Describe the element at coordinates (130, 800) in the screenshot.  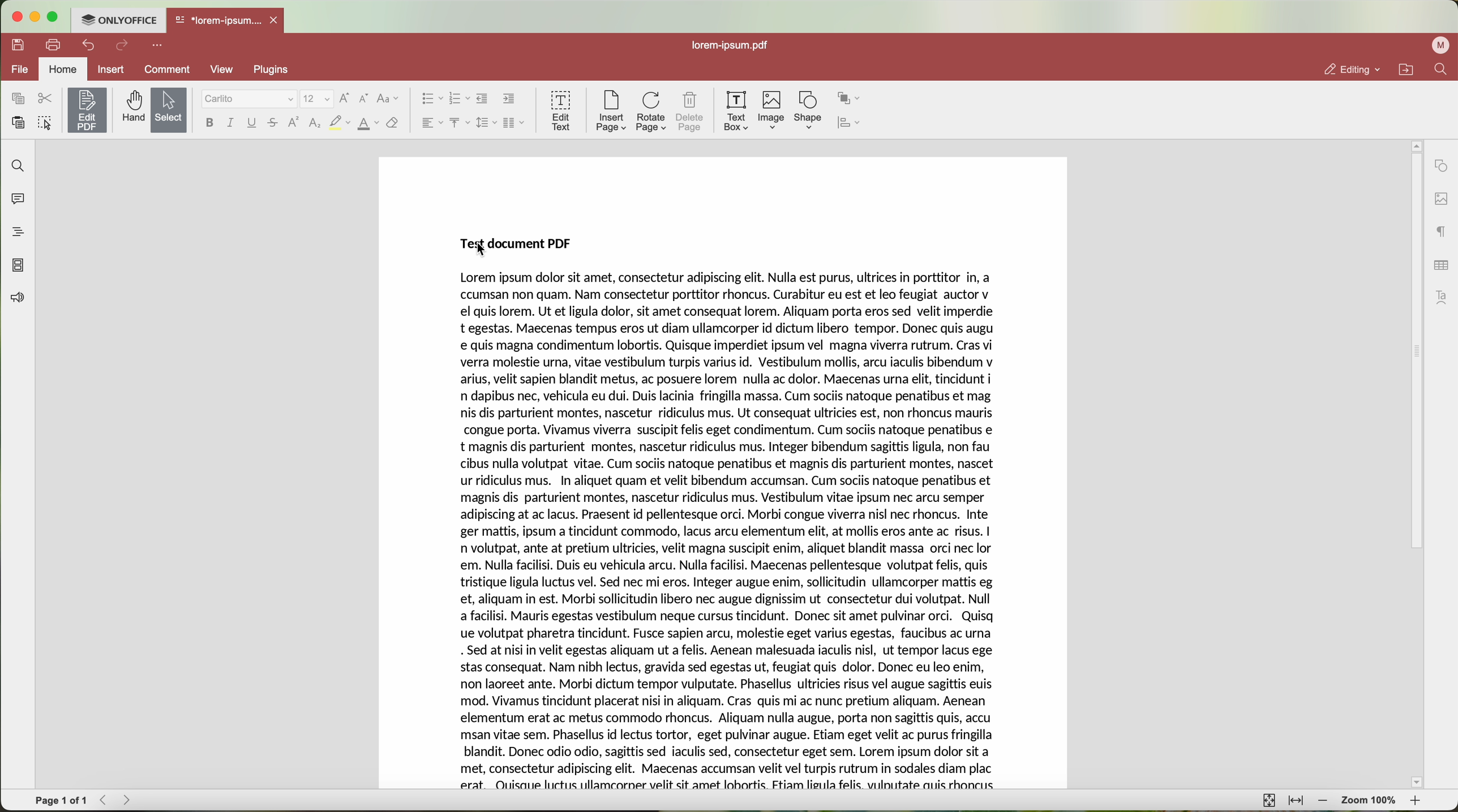
I see `Forward` at that location.